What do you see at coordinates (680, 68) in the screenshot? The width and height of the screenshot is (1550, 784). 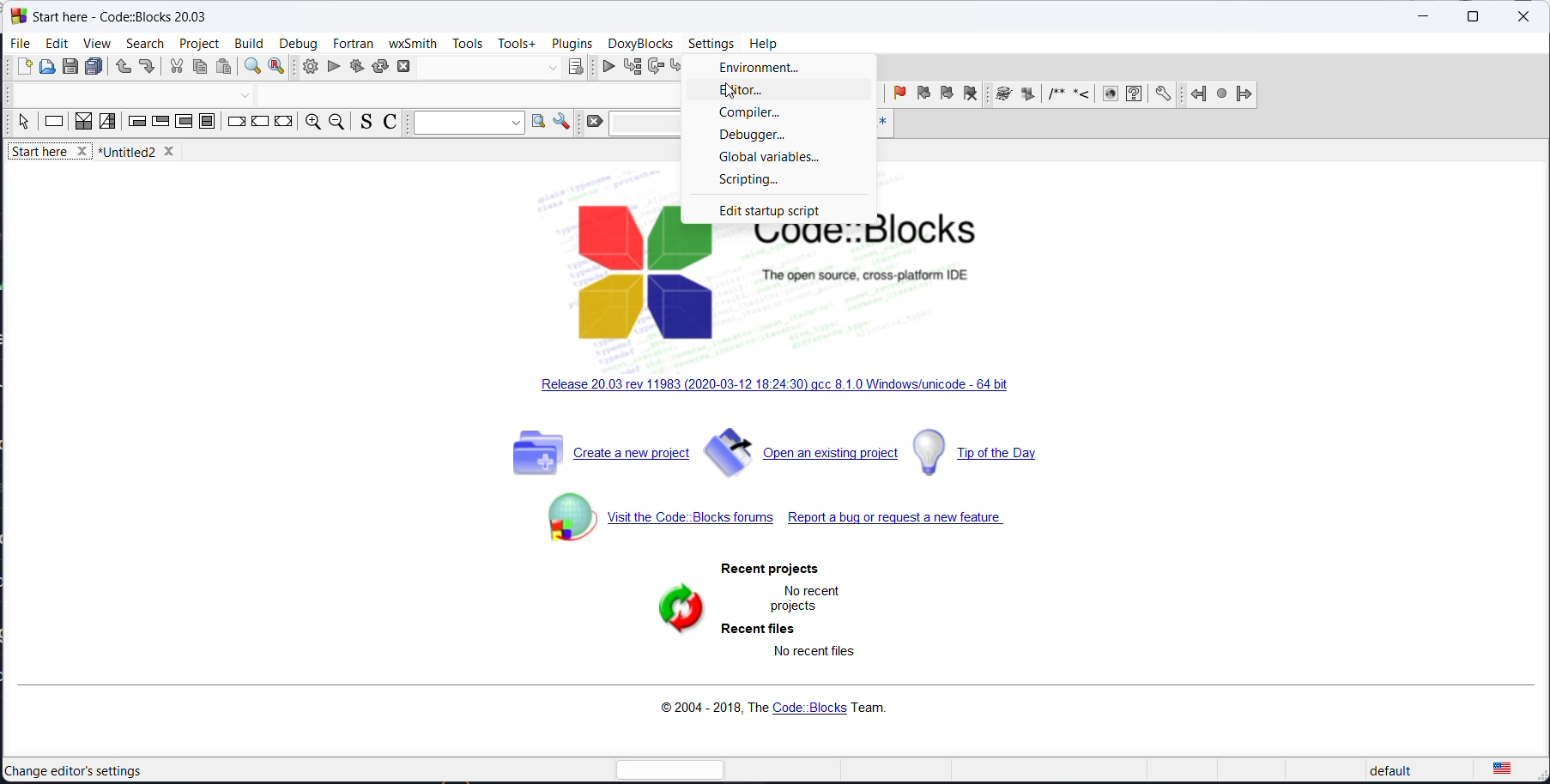 I see `step into` at bounding box center [680, 68].